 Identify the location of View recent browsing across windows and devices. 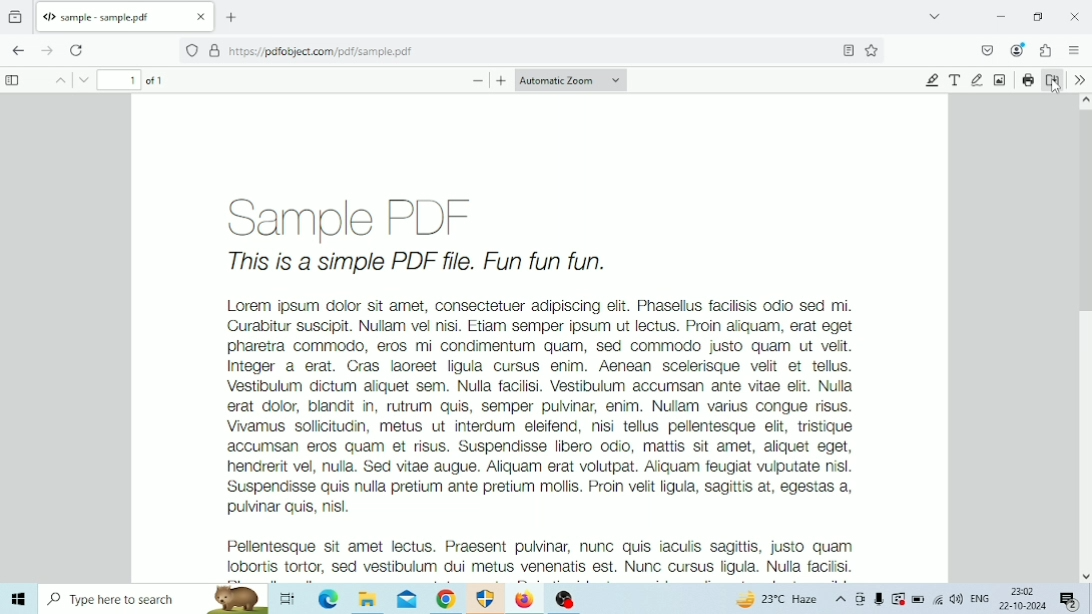
(15, 18).